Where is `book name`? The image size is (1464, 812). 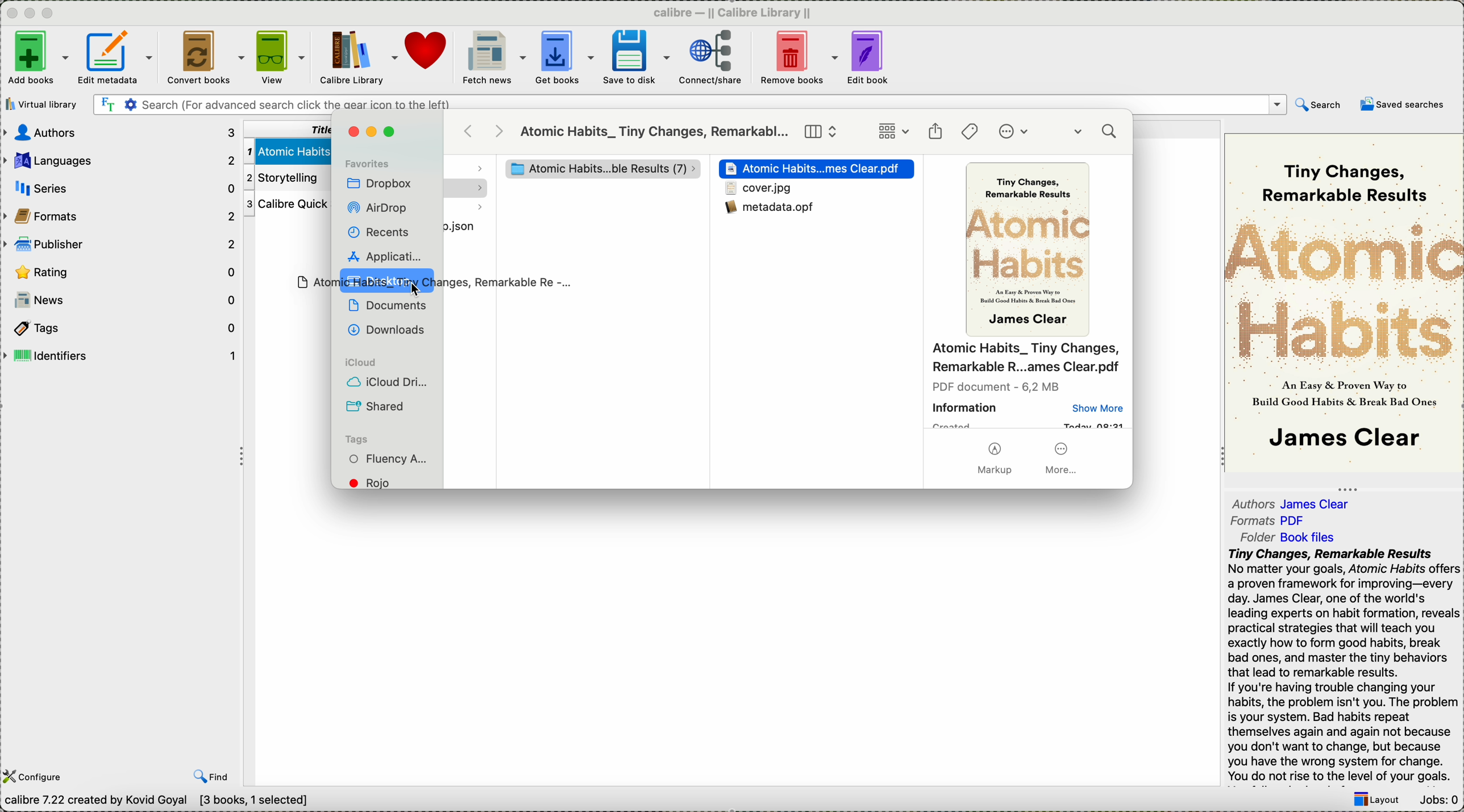
book name is located at coordinates (655, 132).